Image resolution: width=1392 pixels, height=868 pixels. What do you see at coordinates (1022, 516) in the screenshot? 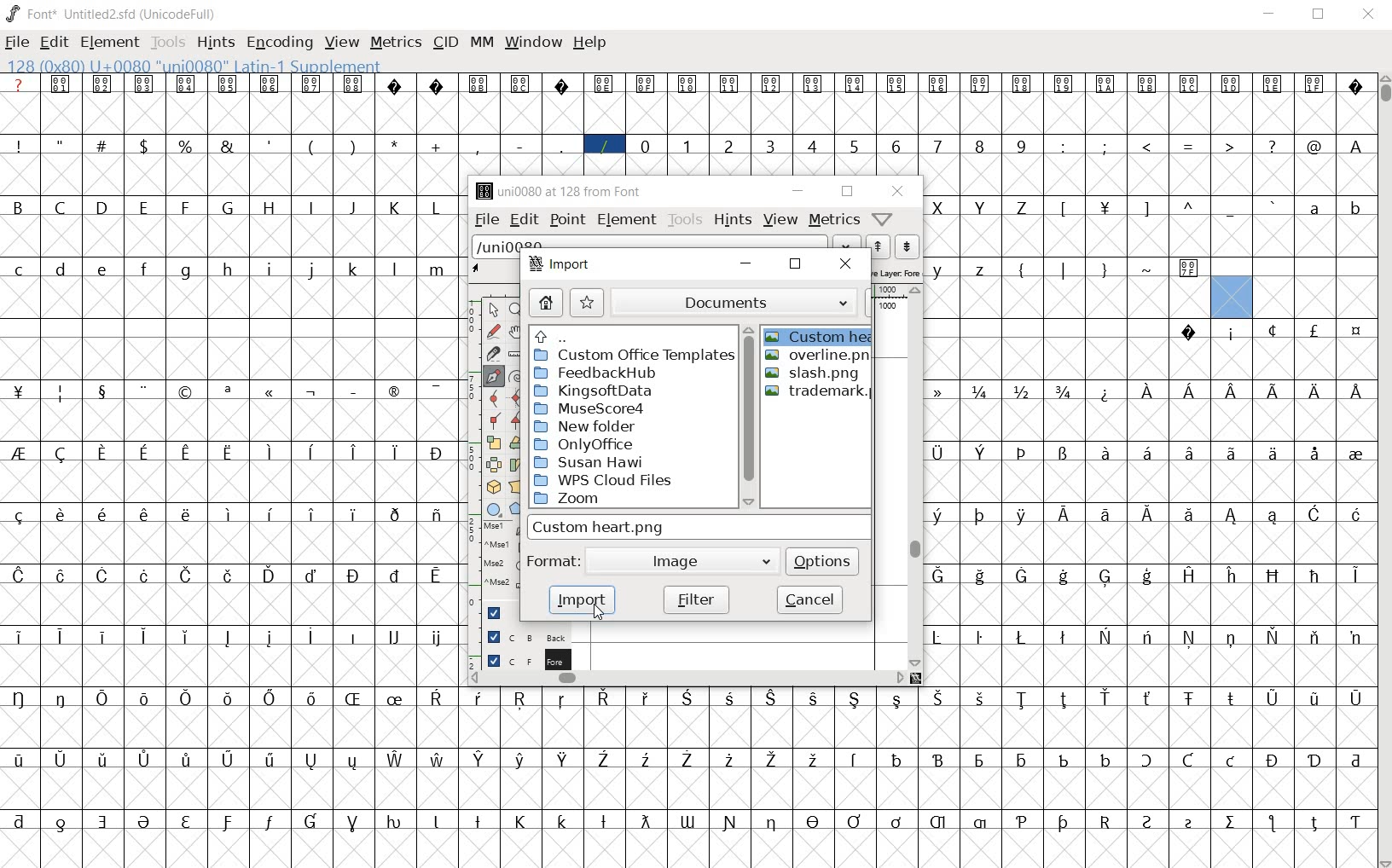
I see `glyph` at bounding box center [1022, 516].